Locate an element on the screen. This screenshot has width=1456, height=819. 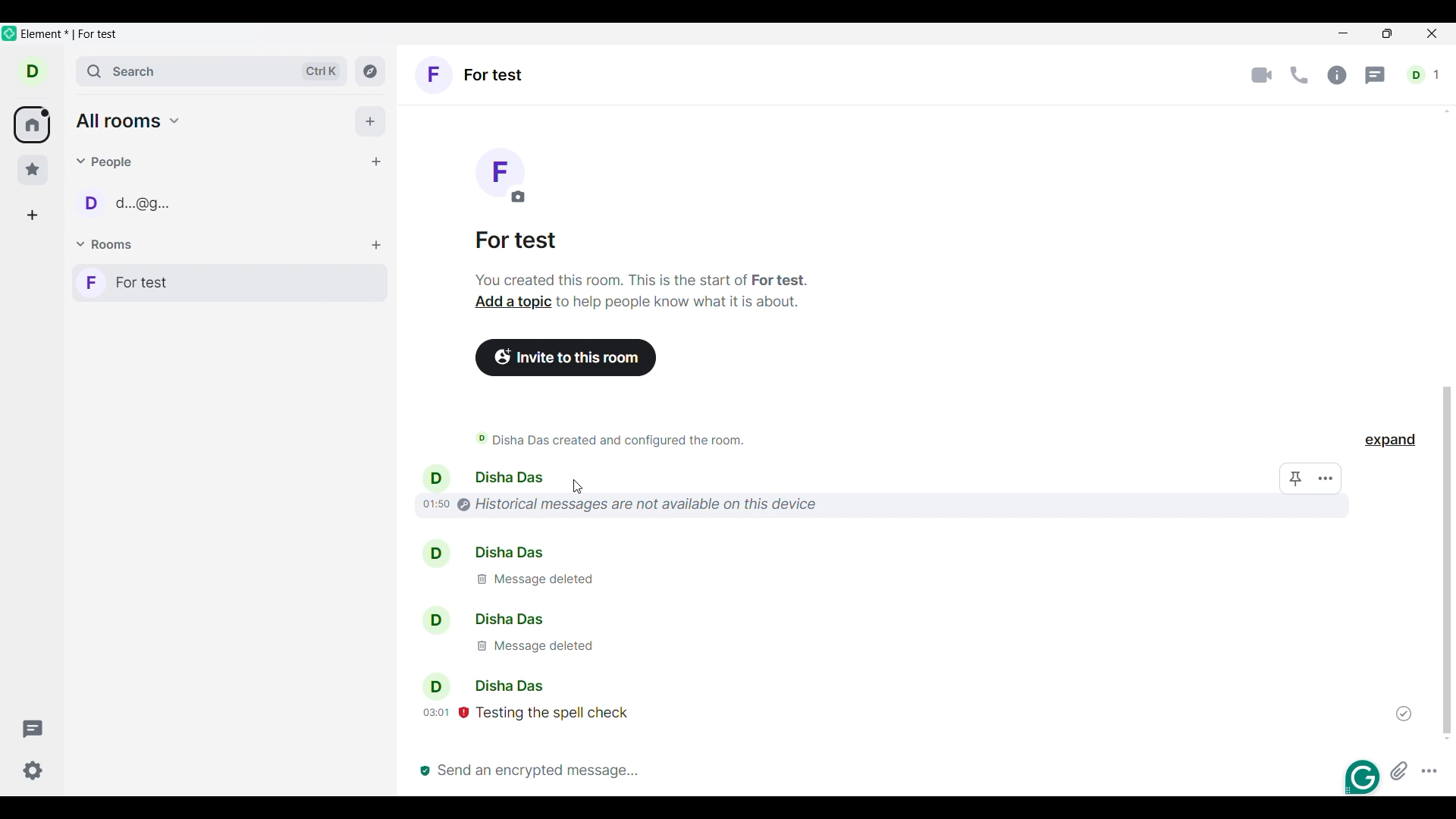
vertical scroll bar is located at coordinates (1443, 559).